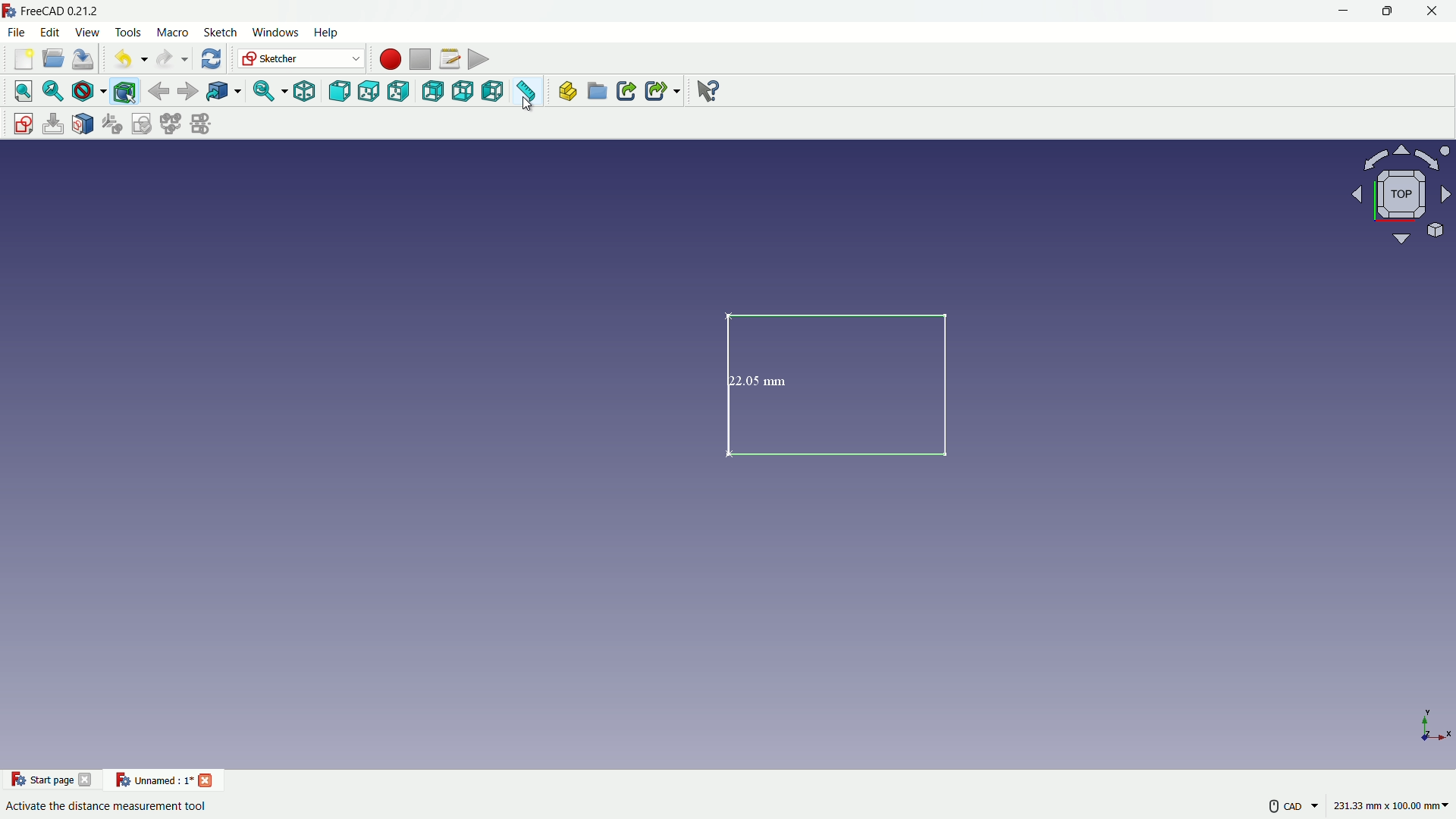 This screenshot has width=1456, height=819. What do you see at coordinates (479, 61) in the screenshot?
I see `execute macros` at bounding box center [479, 61].